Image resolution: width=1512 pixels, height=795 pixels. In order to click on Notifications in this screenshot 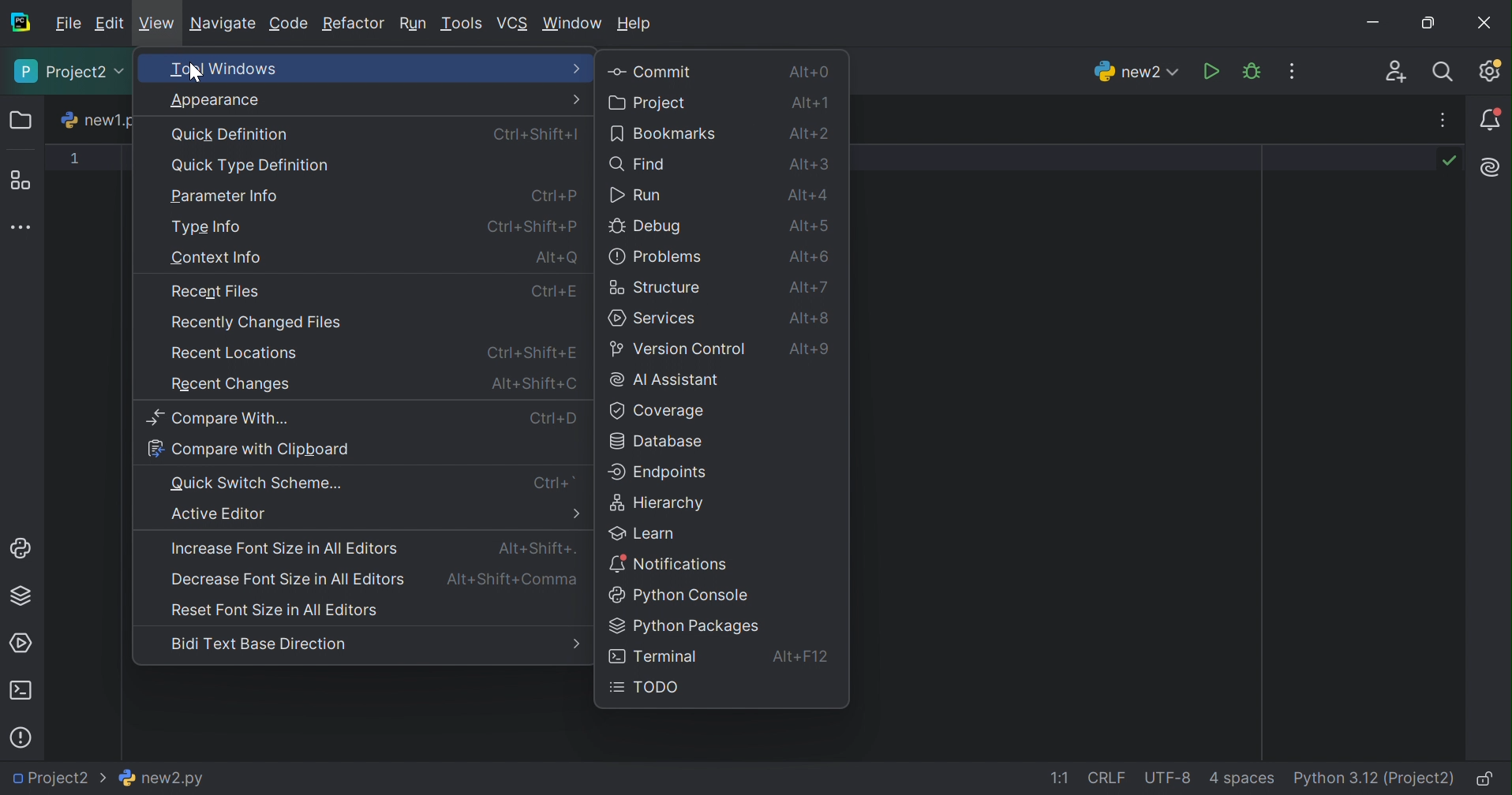, I will do `click(1493, 118)`.